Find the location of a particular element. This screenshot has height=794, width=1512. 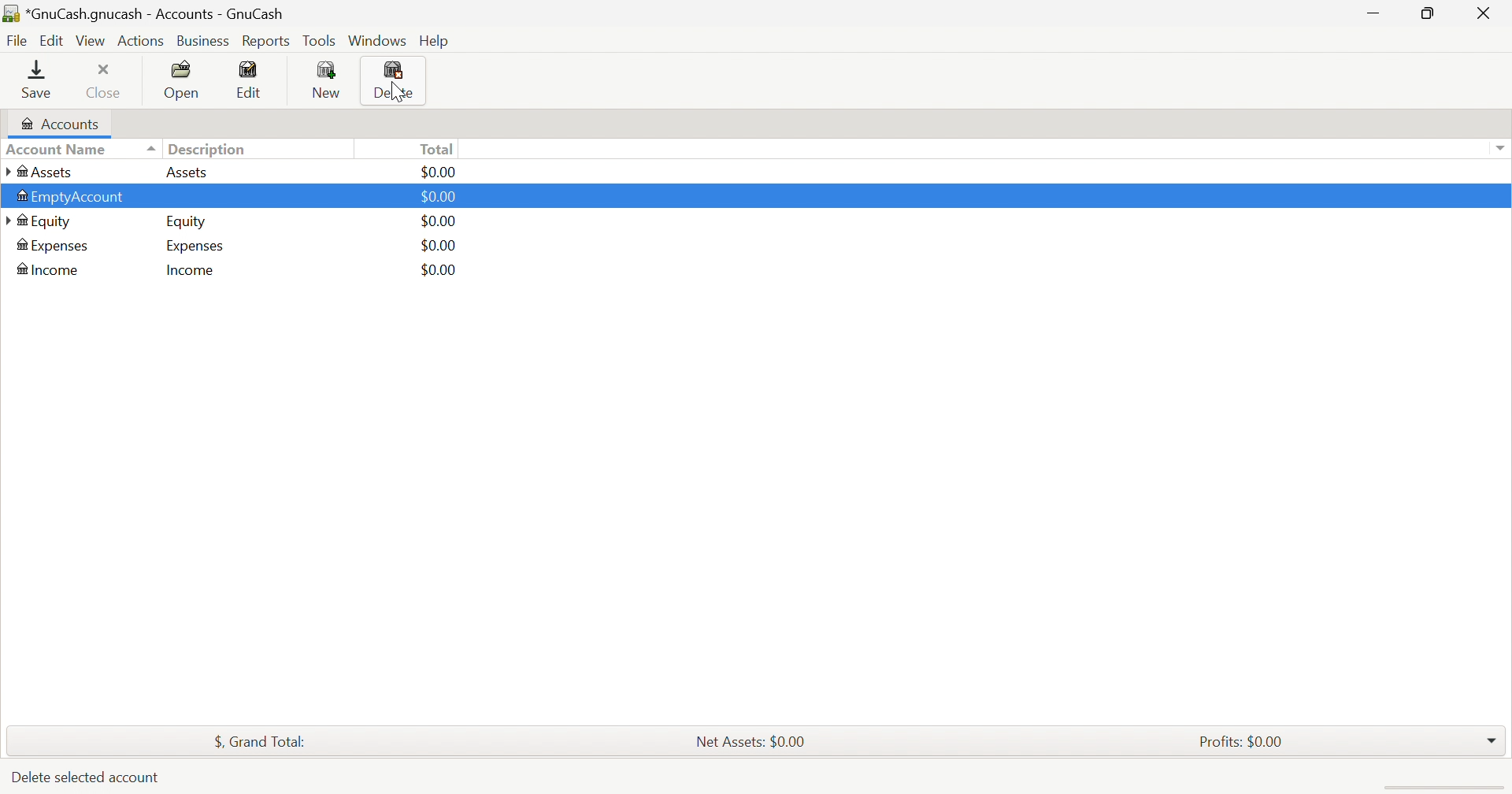

Drop Down is located at coordinates (1492, 736).